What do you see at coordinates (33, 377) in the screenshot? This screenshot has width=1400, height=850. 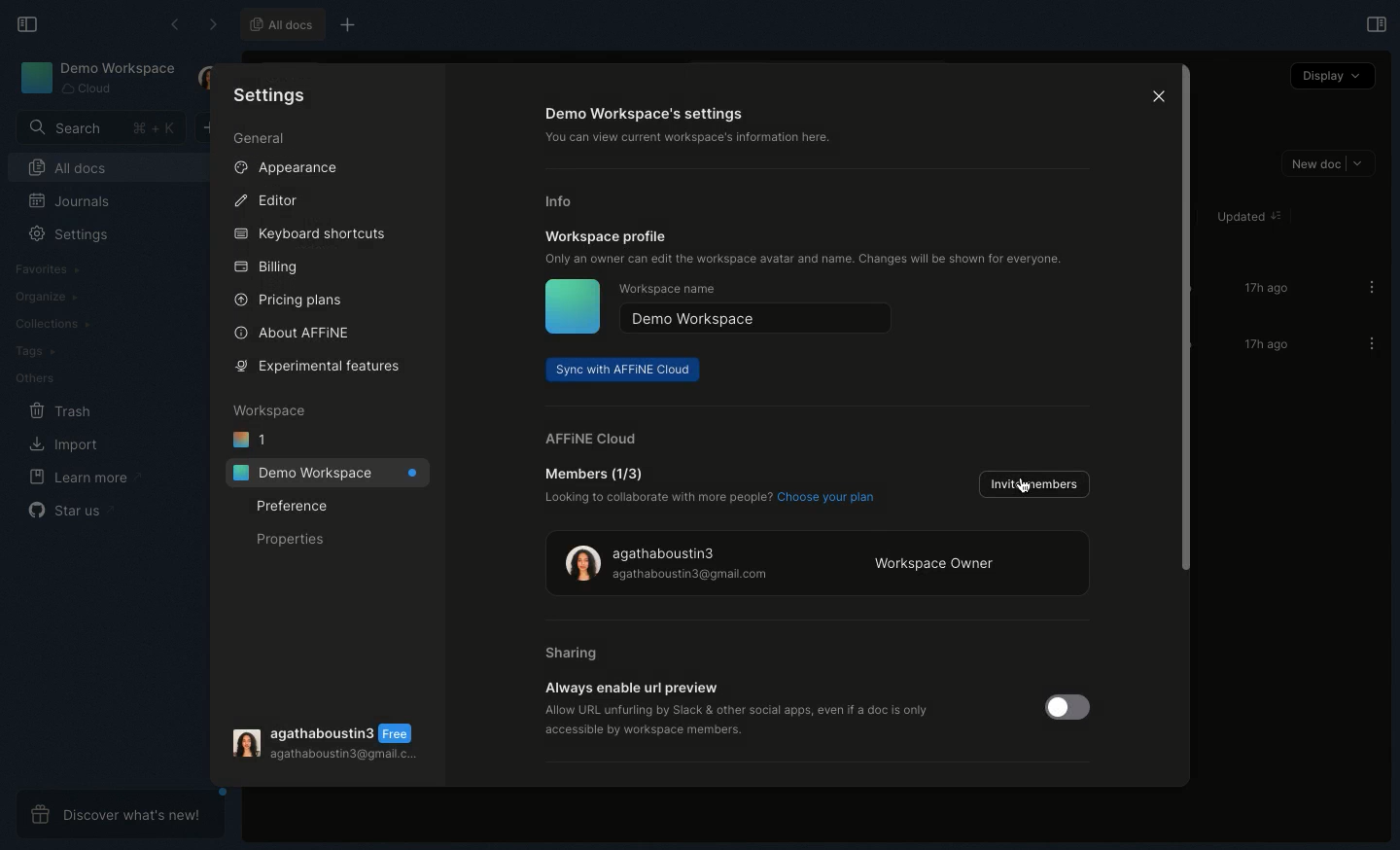 I see `Others` at bounding box center [33, 377].